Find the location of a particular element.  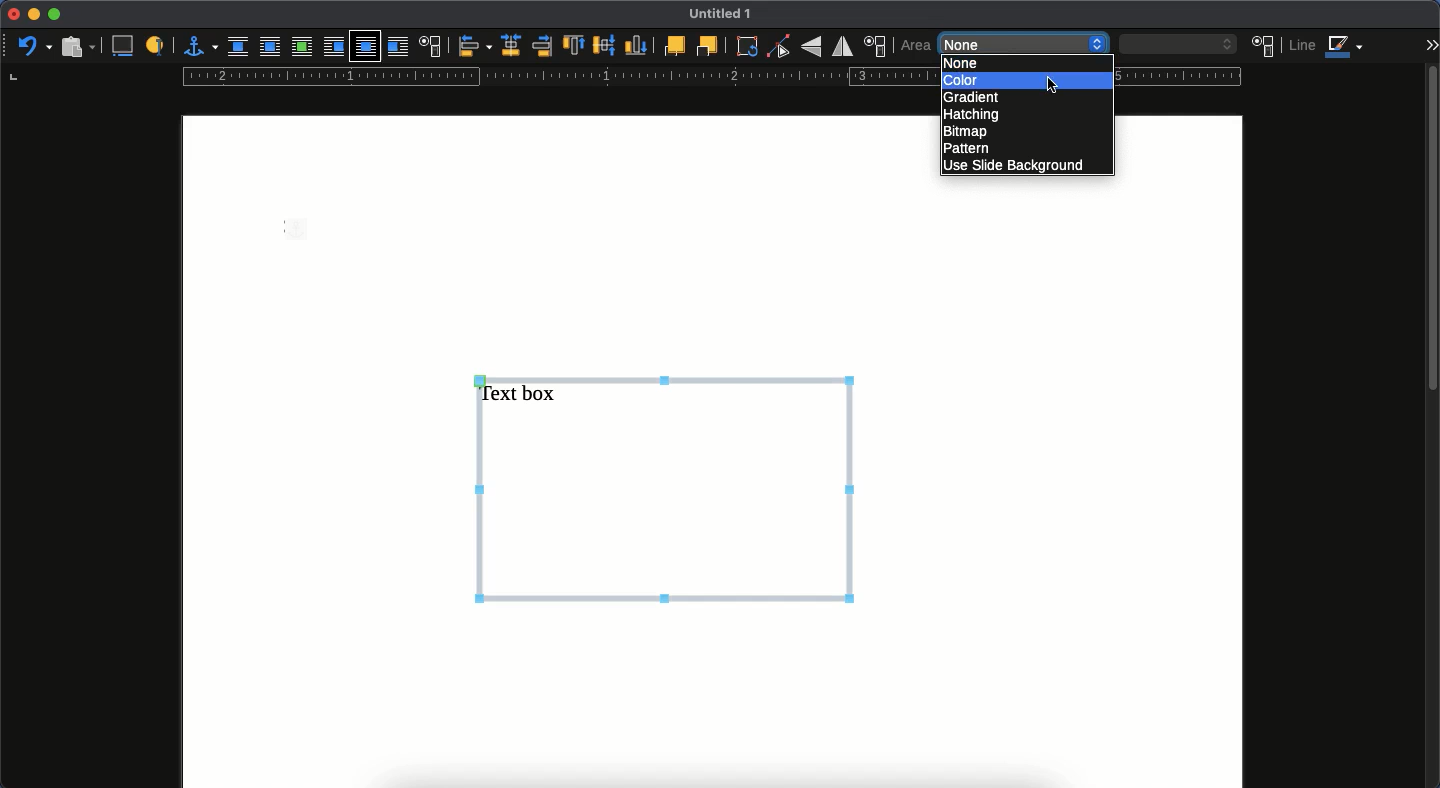

insert caption is located at coordinates (126, 45).